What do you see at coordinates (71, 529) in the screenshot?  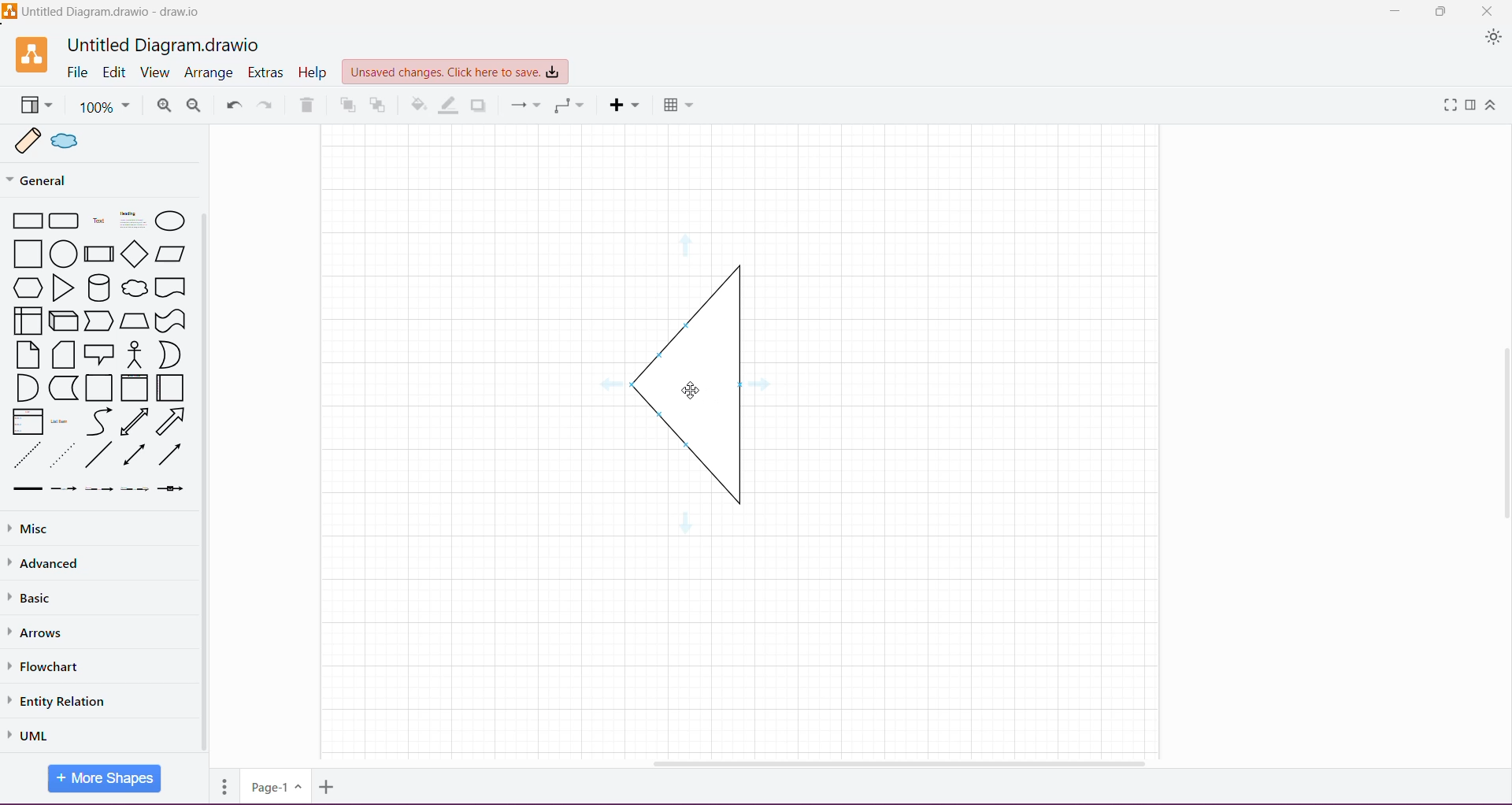 I see `Misc` at bounding box center [71, 529].